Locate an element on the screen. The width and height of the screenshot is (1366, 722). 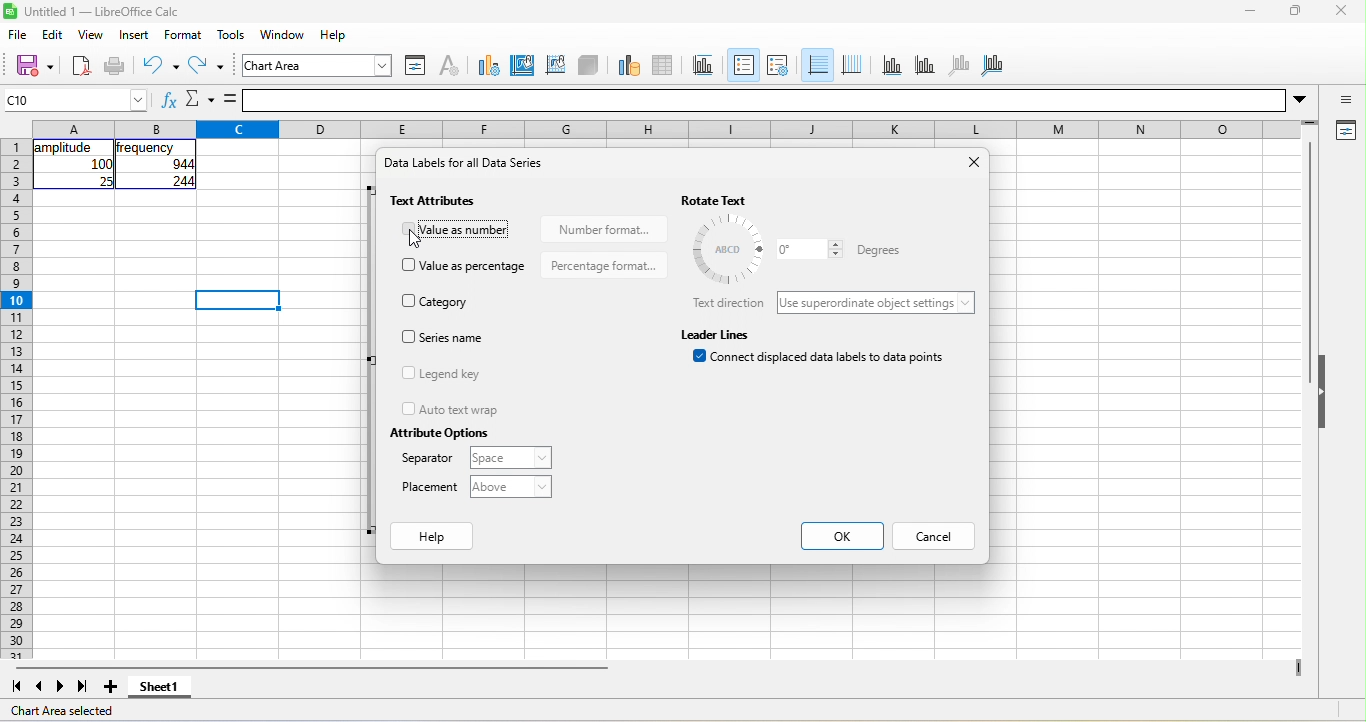
number format is located at coordinates (602, 227).